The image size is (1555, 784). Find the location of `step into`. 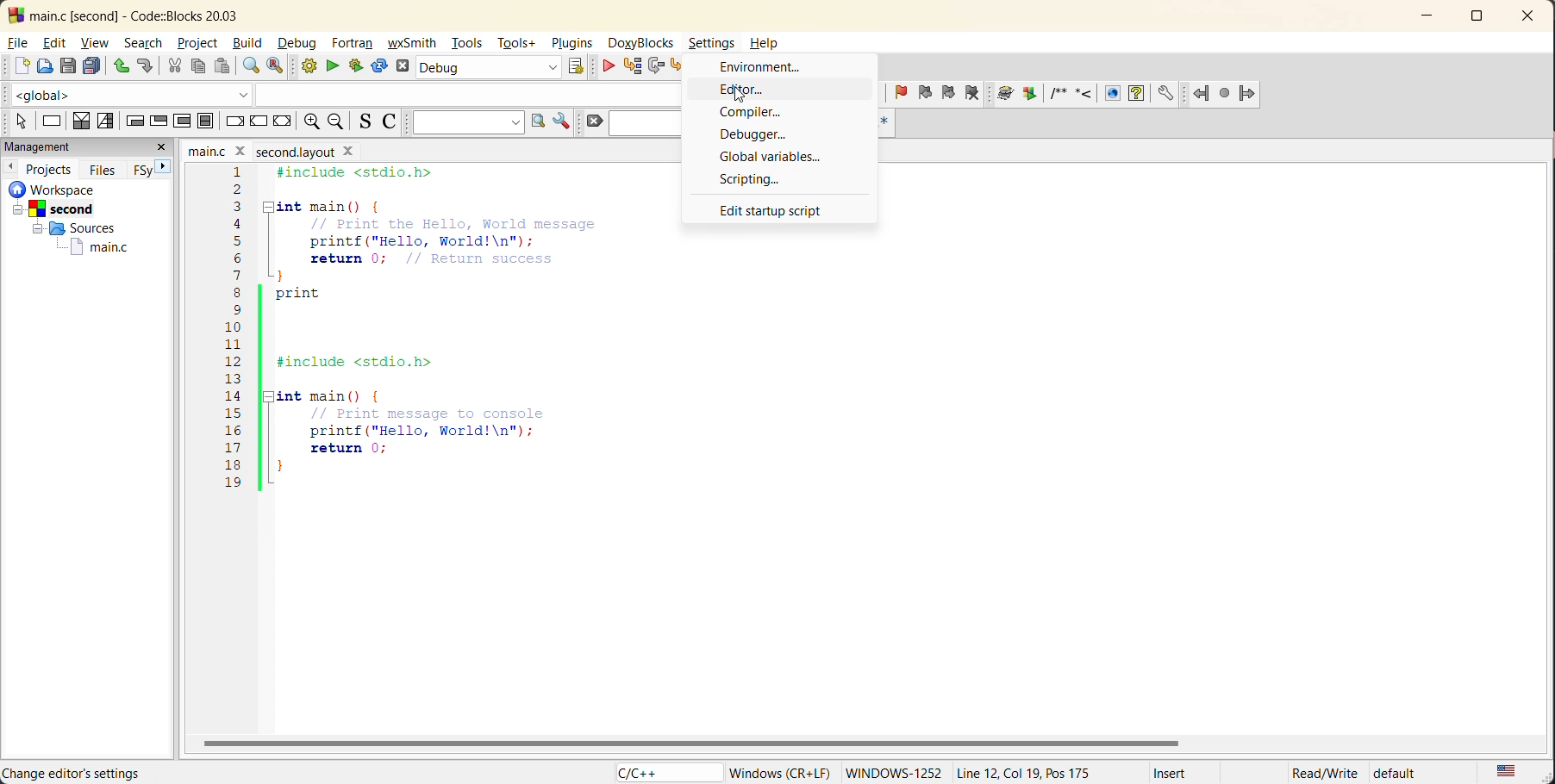

step into is located at coordinates (682, 66).